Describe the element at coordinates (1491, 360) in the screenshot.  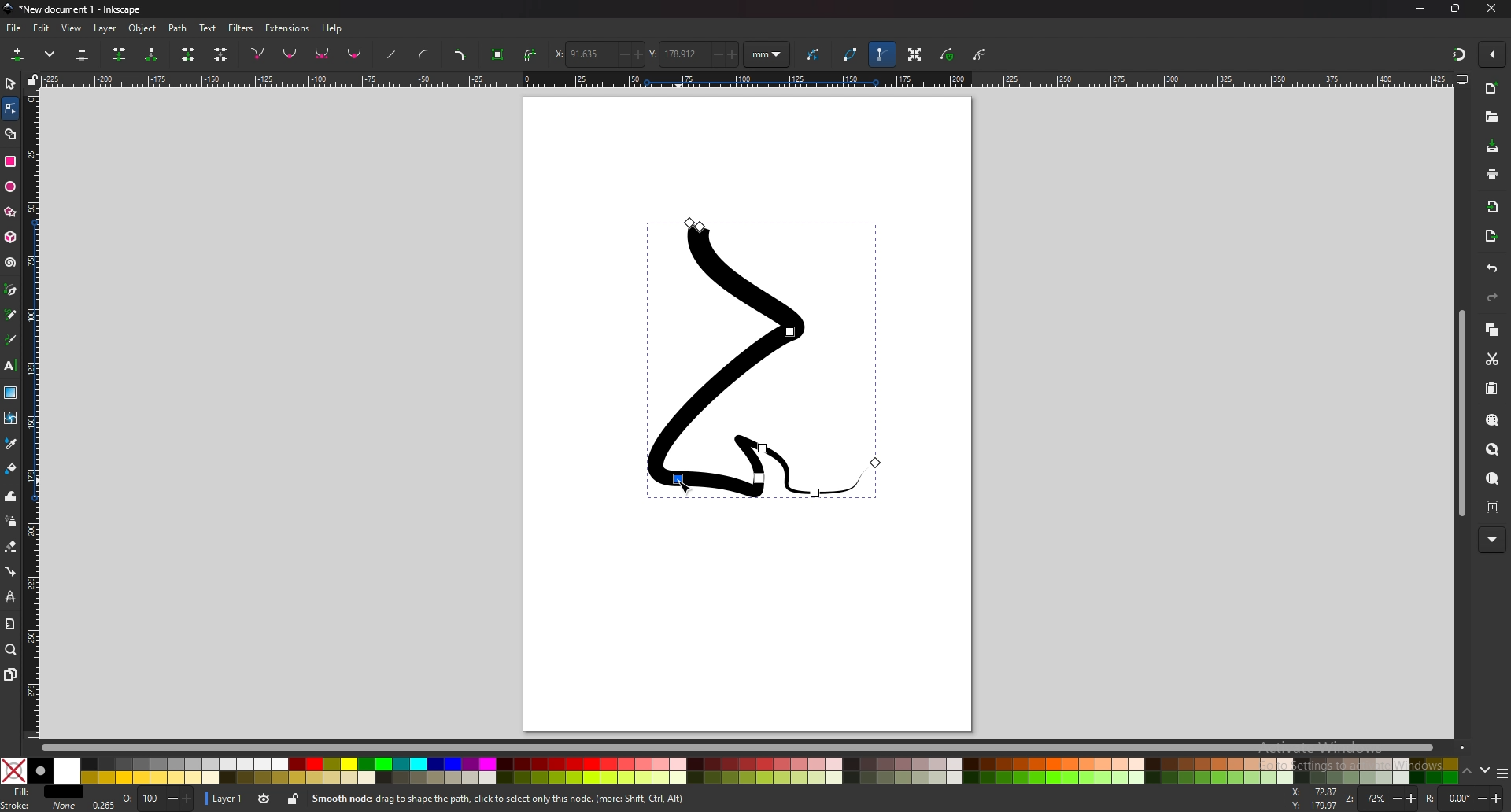
I see `cut` at that location.